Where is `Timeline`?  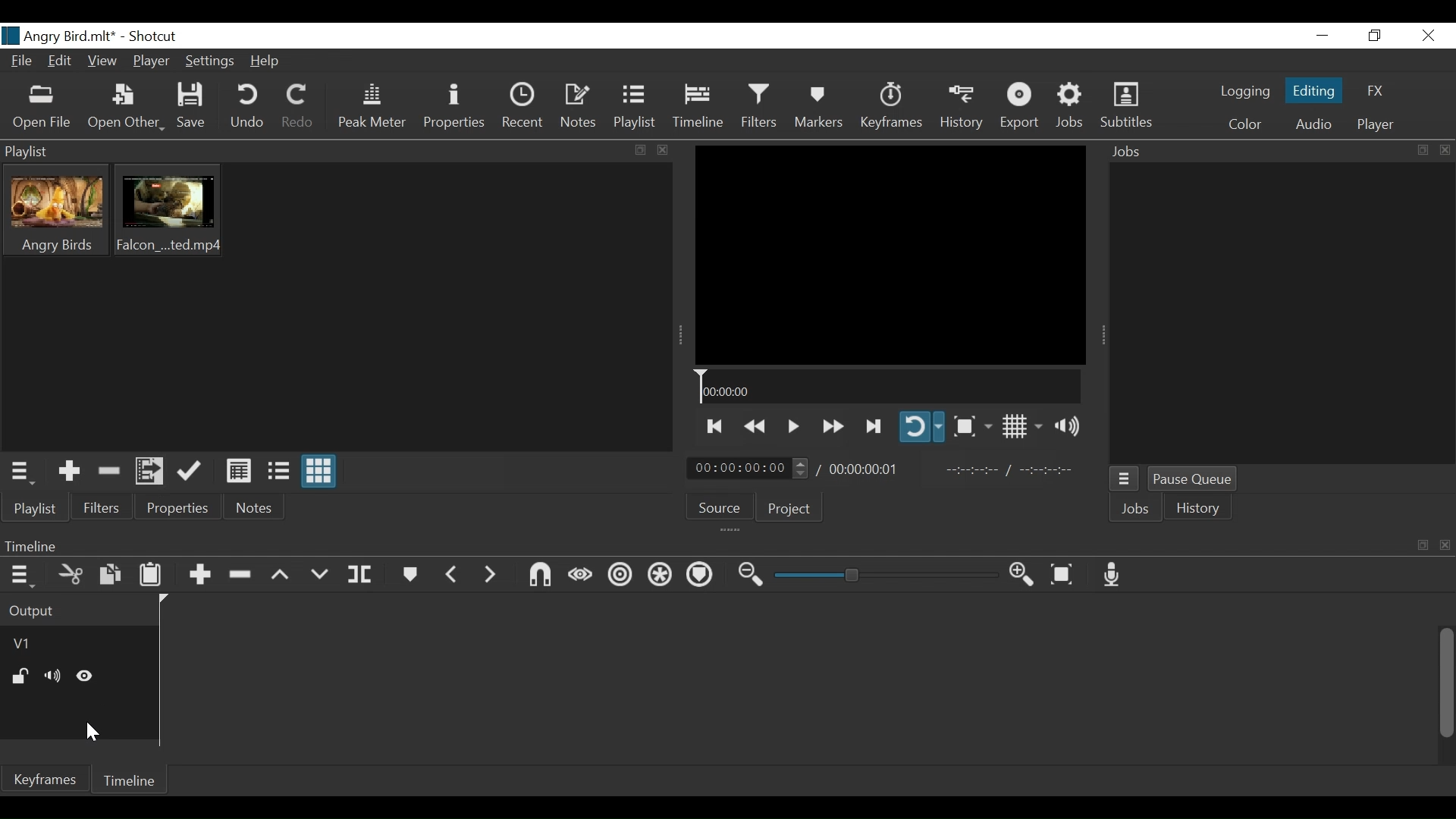 Timeline is located at coordinates (133, 781).